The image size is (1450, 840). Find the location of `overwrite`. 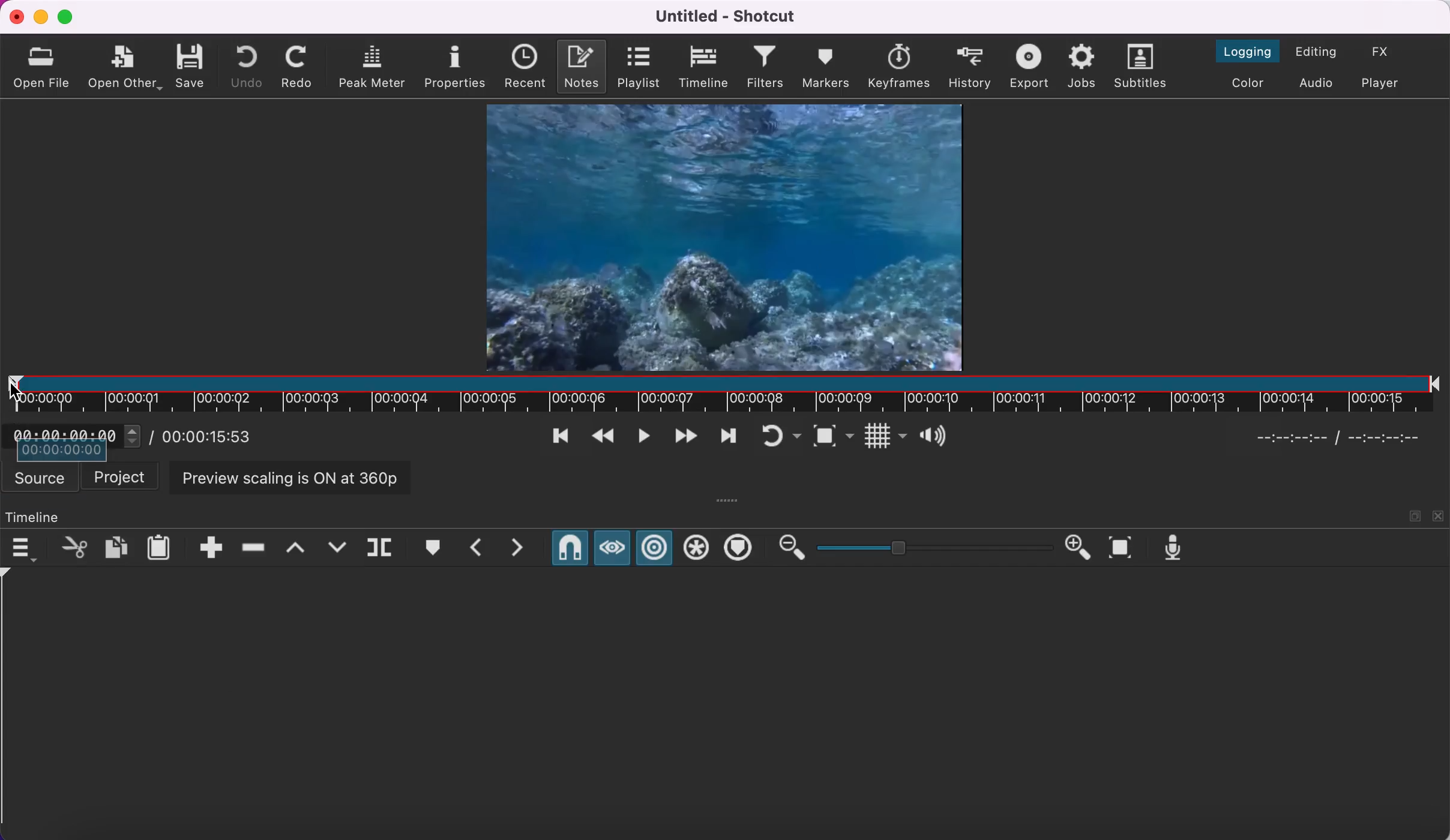

overwrite is located at coordinates (336, 547).